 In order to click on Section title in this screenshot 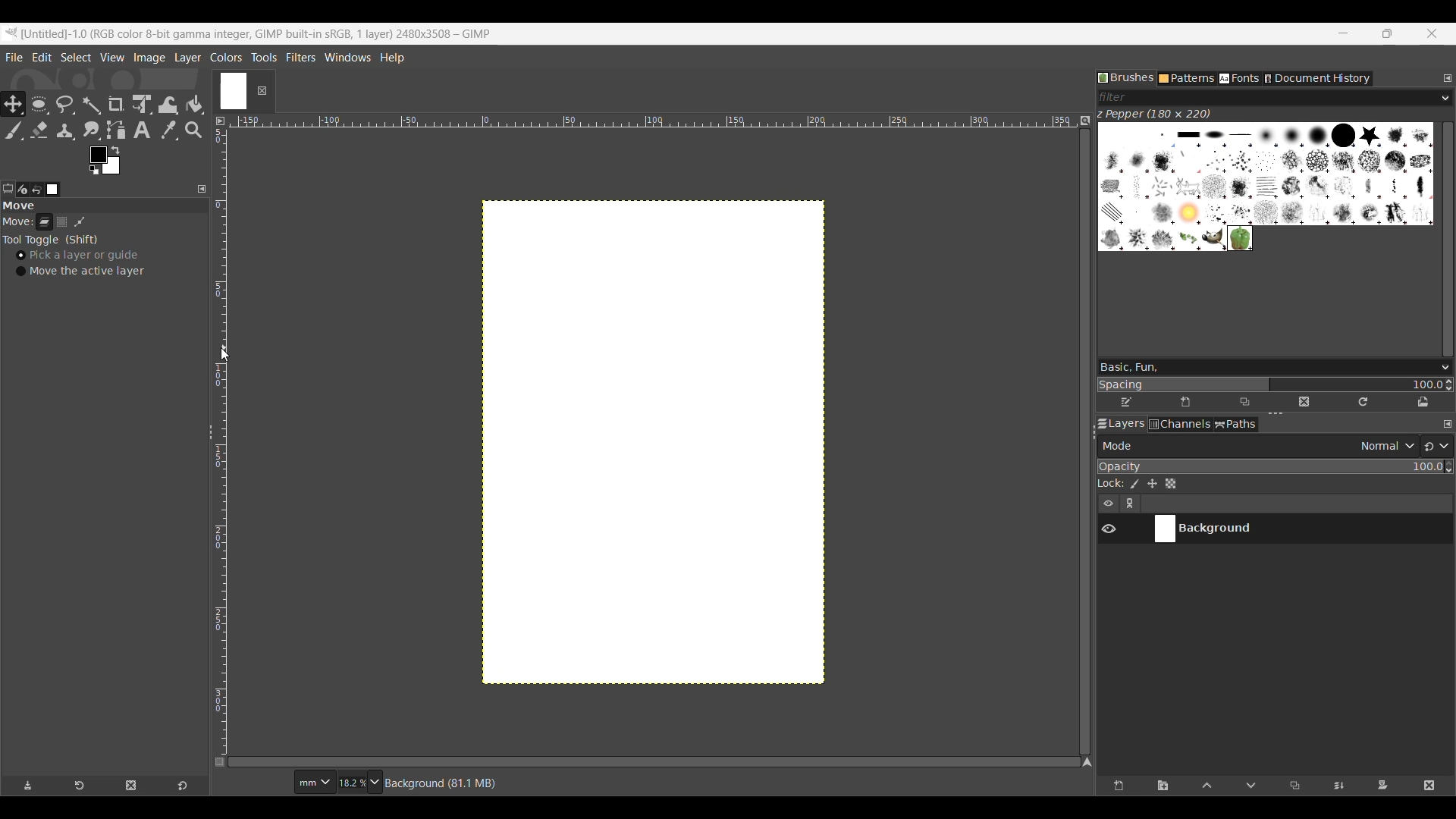, I will do `click(102, 209)`.